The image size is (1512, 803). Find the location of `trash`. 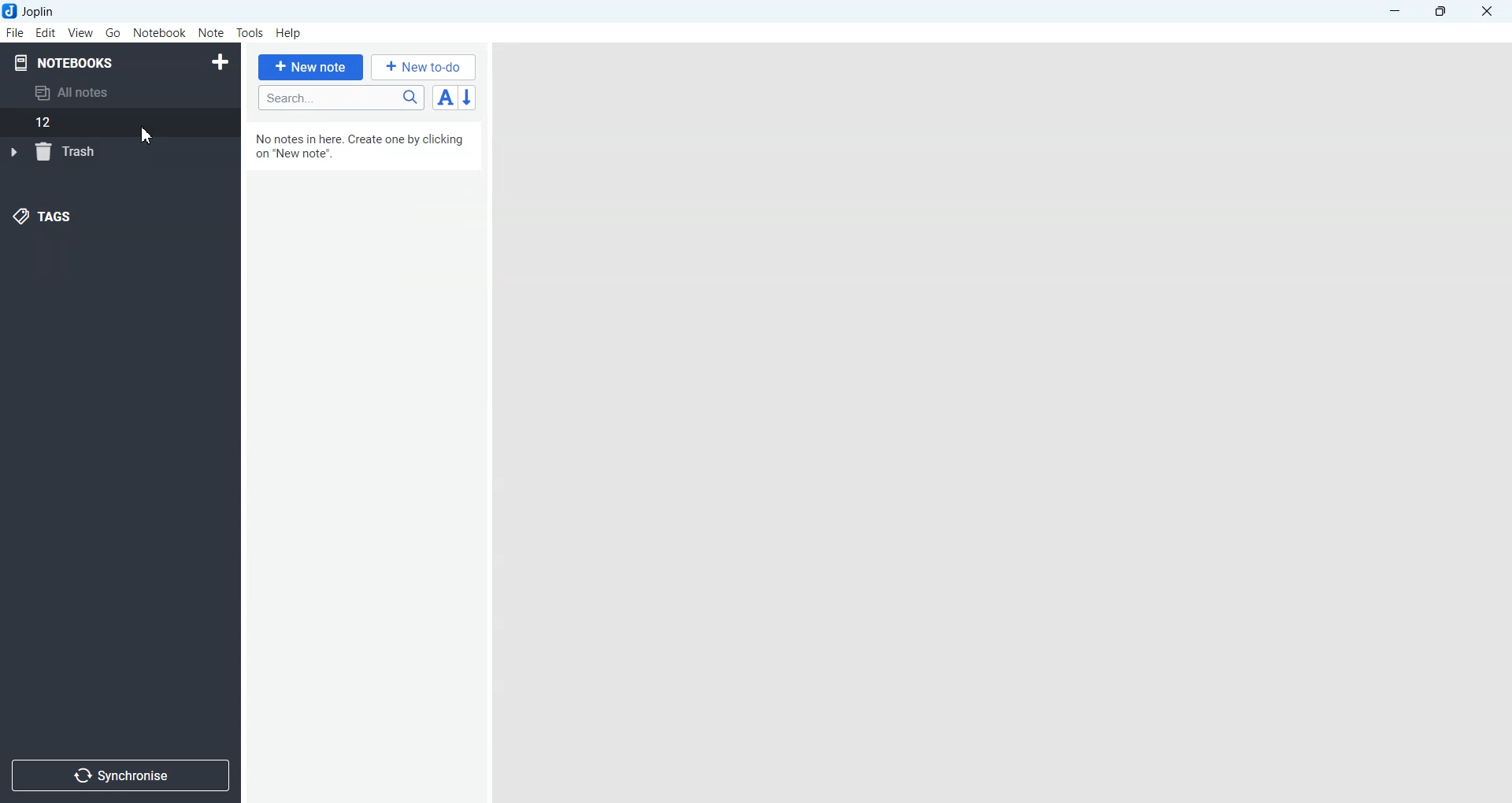

trash is located at coordinates (58, 152).